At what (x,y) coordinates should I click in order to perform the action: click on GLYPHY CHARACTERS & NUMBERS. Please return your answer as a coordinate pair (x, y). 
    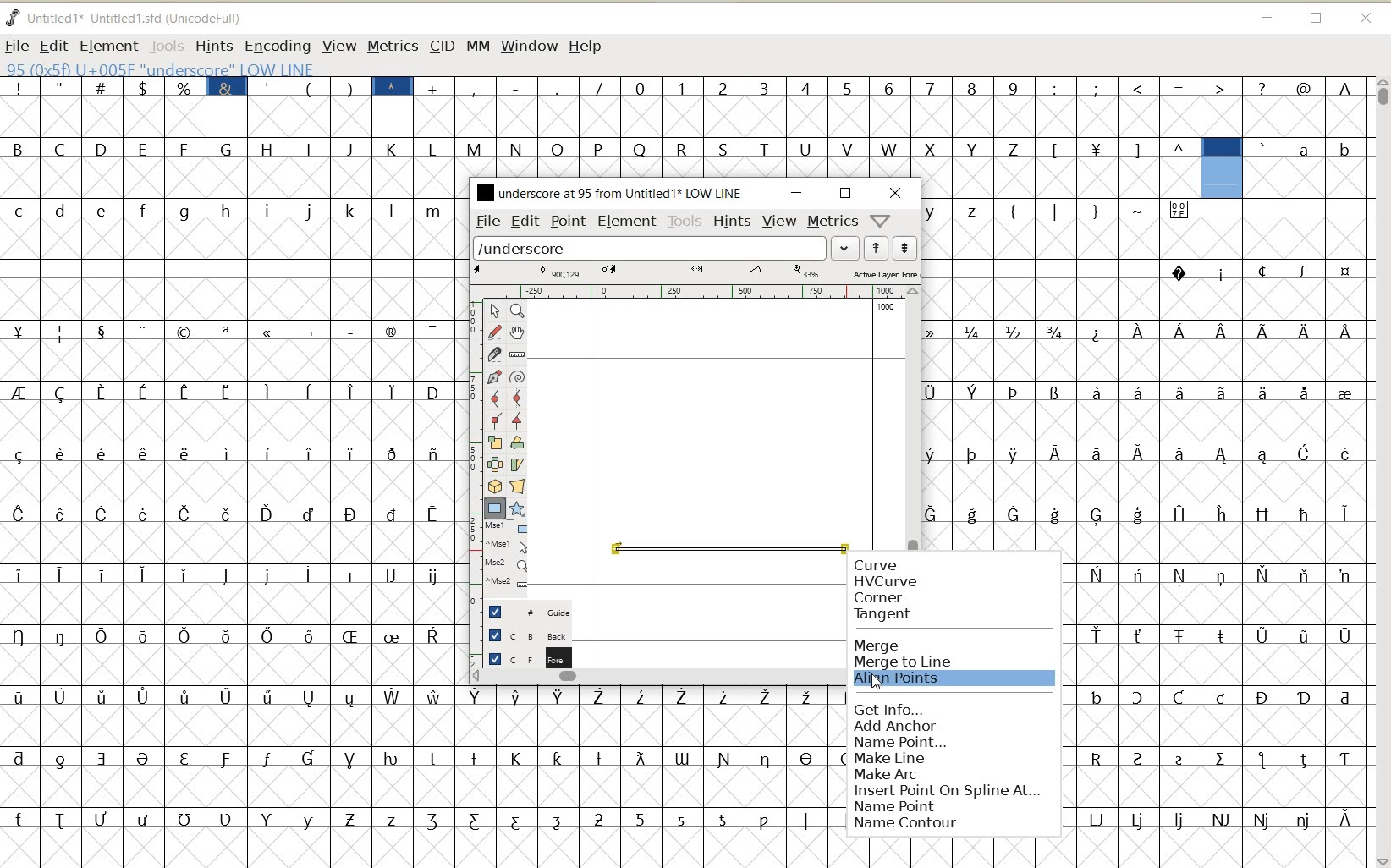
    Looking at the image, I should click on (913, 100).